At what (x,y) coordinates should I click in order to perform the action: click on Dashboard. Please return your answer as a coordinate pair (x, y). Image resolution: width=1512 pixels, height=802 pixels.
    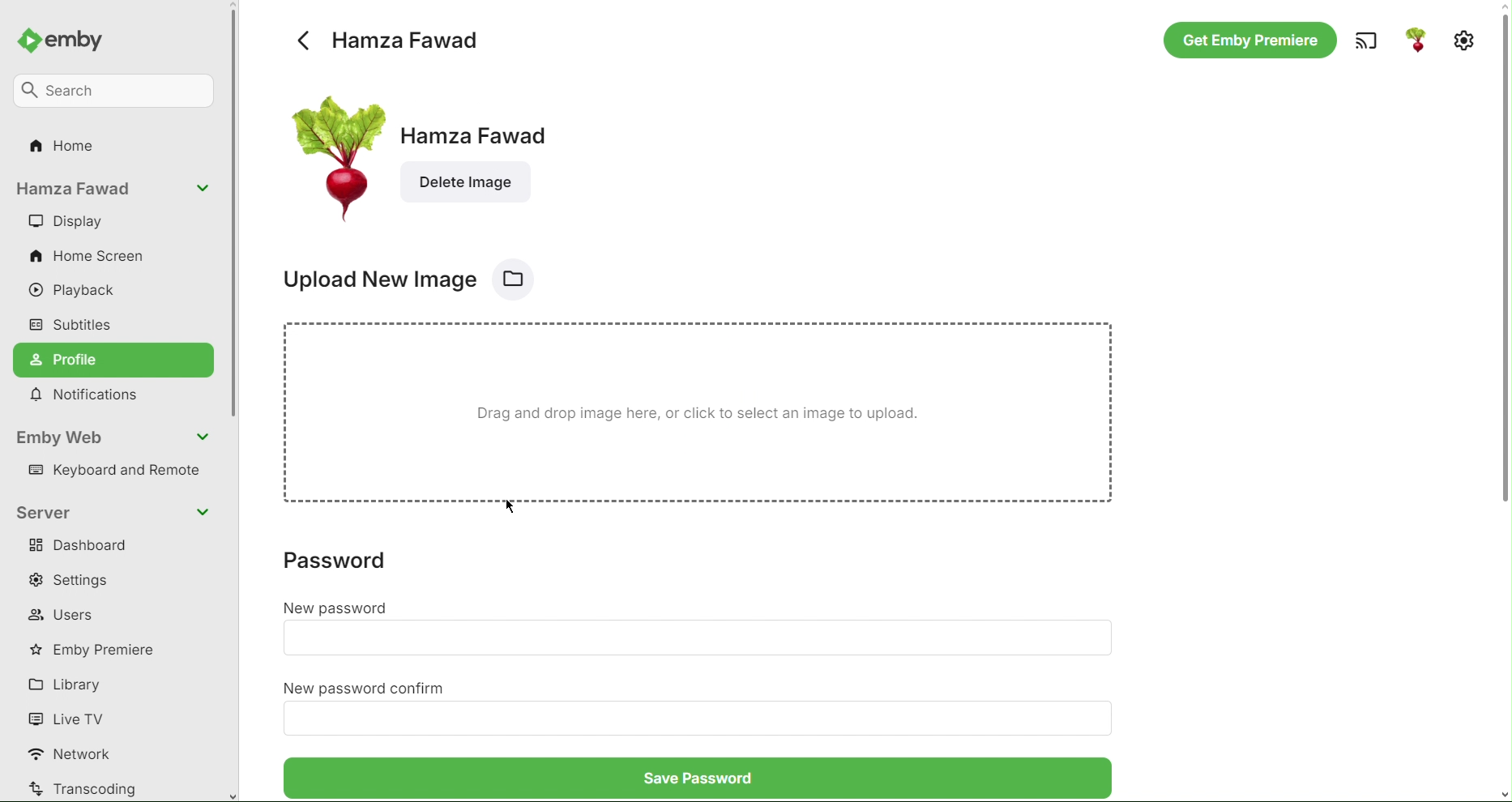
    Looking at the image, I should click on (83, 548).